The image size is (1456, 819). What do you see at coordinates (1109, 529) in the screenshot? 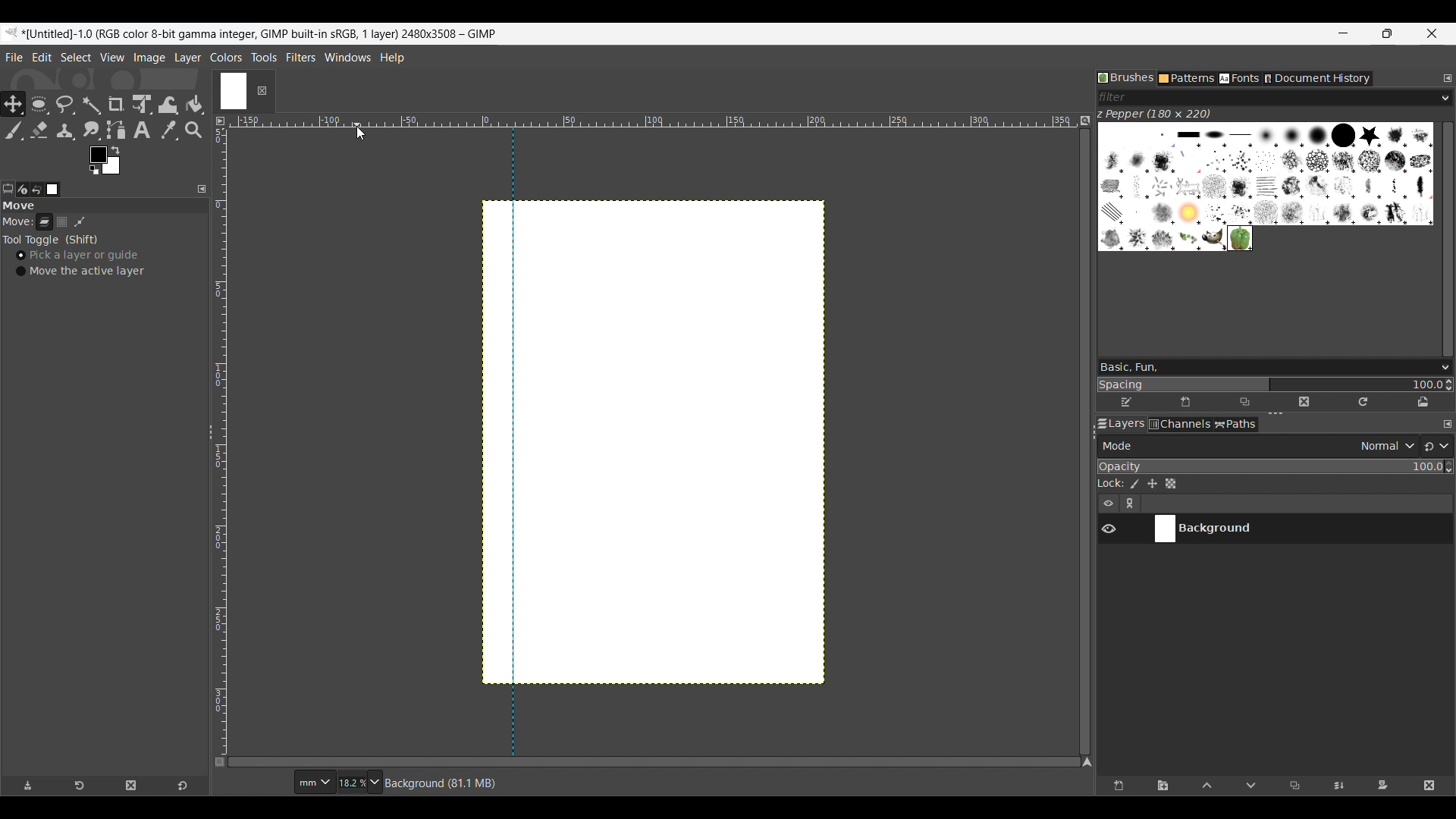
I see `Show/Hide layer` at bounding box center [1109, 529].